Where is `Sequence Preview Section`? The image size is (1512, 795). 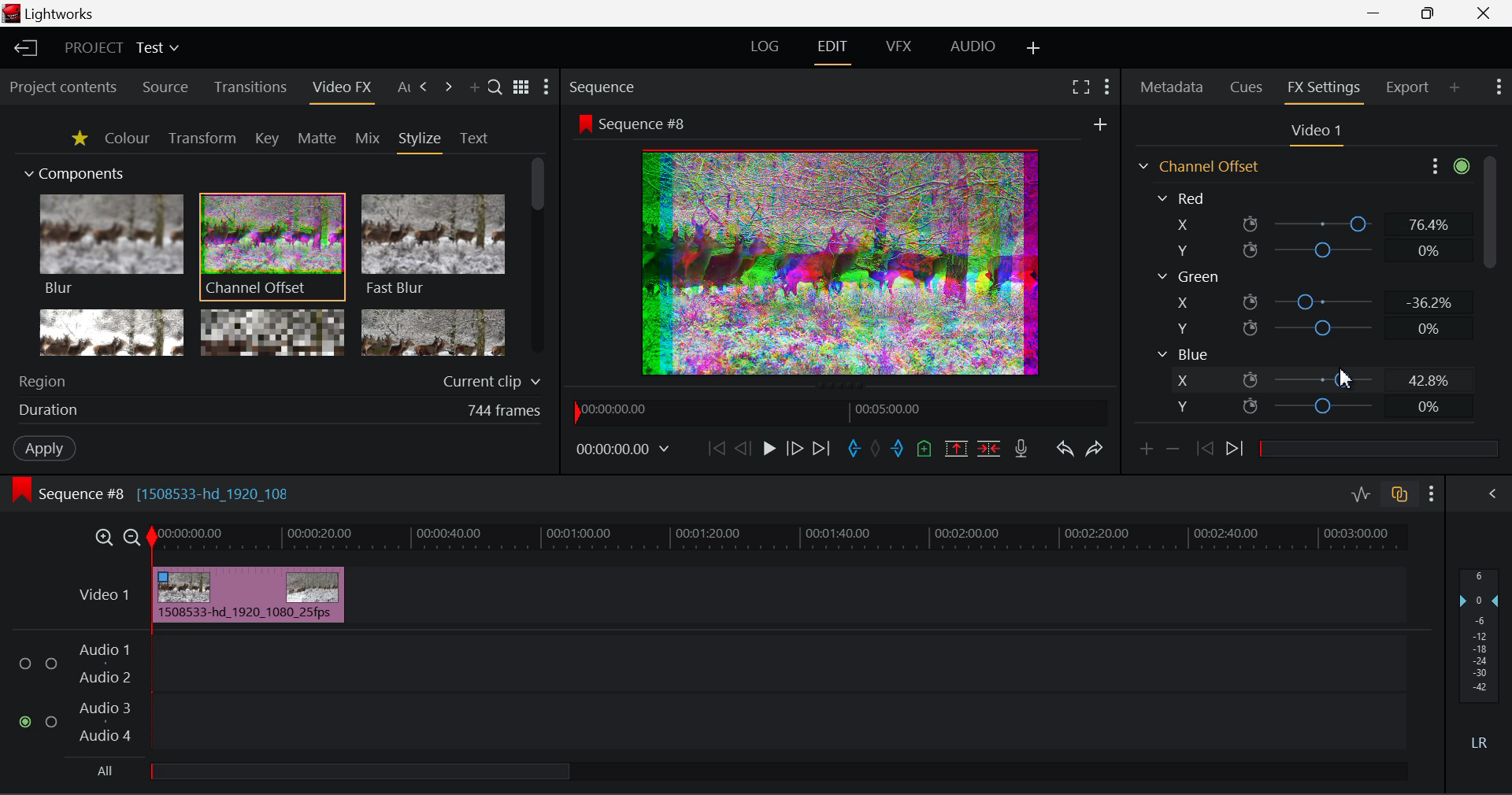 Sequence Preview Section is located at coordinates (604, 86).